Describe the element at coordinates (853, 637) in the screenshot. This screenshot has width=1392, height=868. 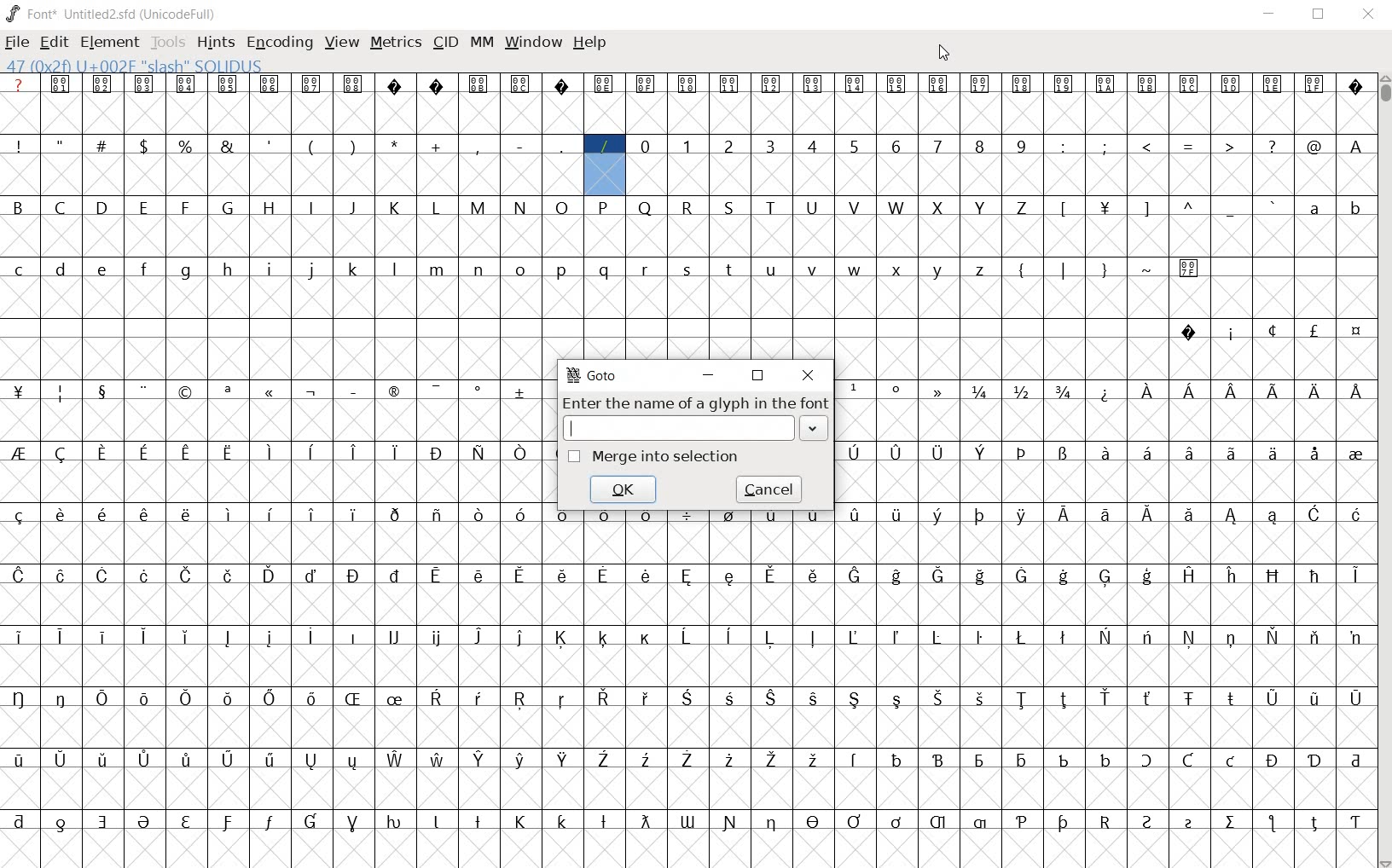
I see `glyph` at that location.